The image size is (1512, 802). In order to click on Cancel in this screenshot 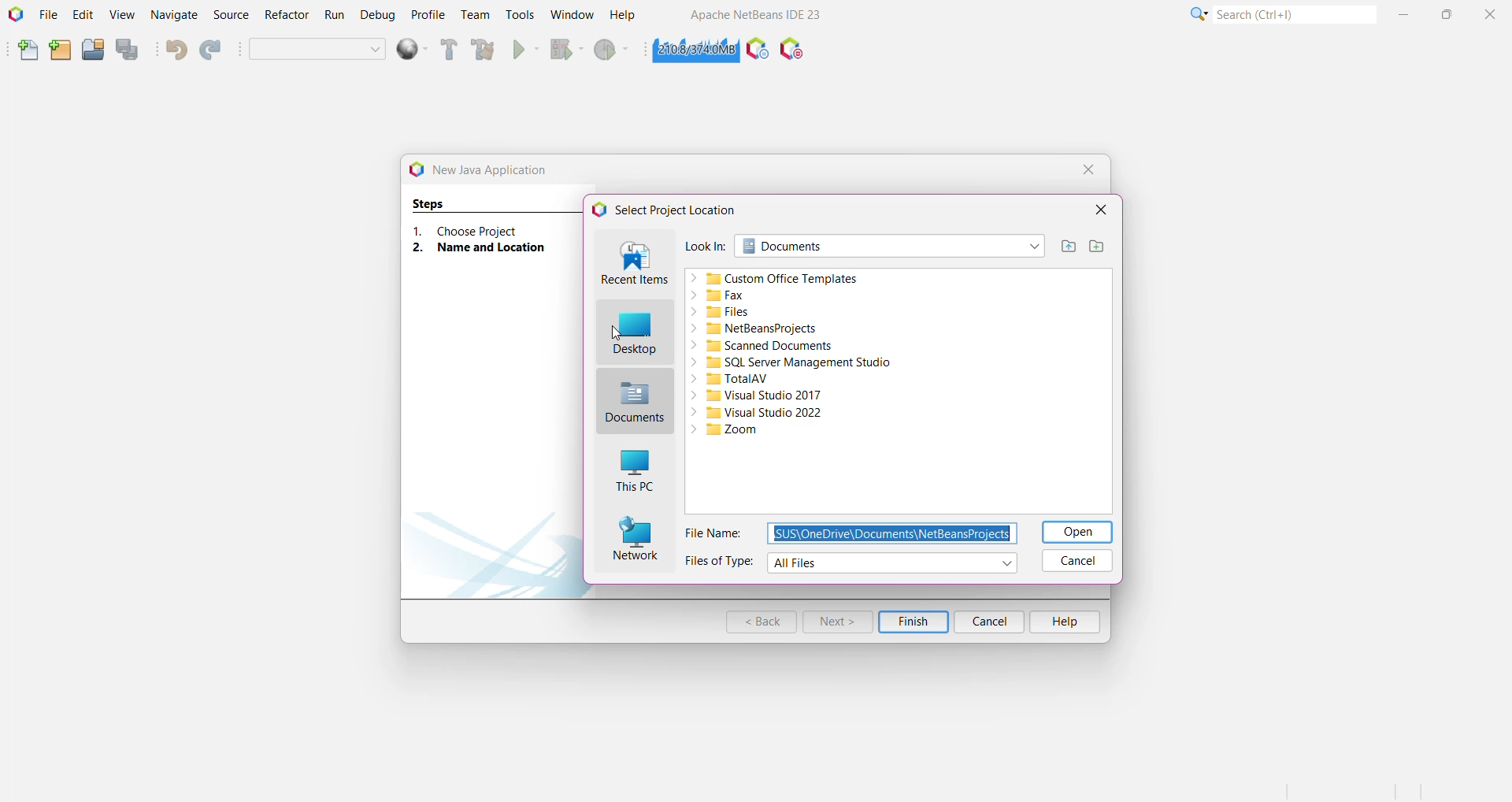, I will do `click(991, 622)`.